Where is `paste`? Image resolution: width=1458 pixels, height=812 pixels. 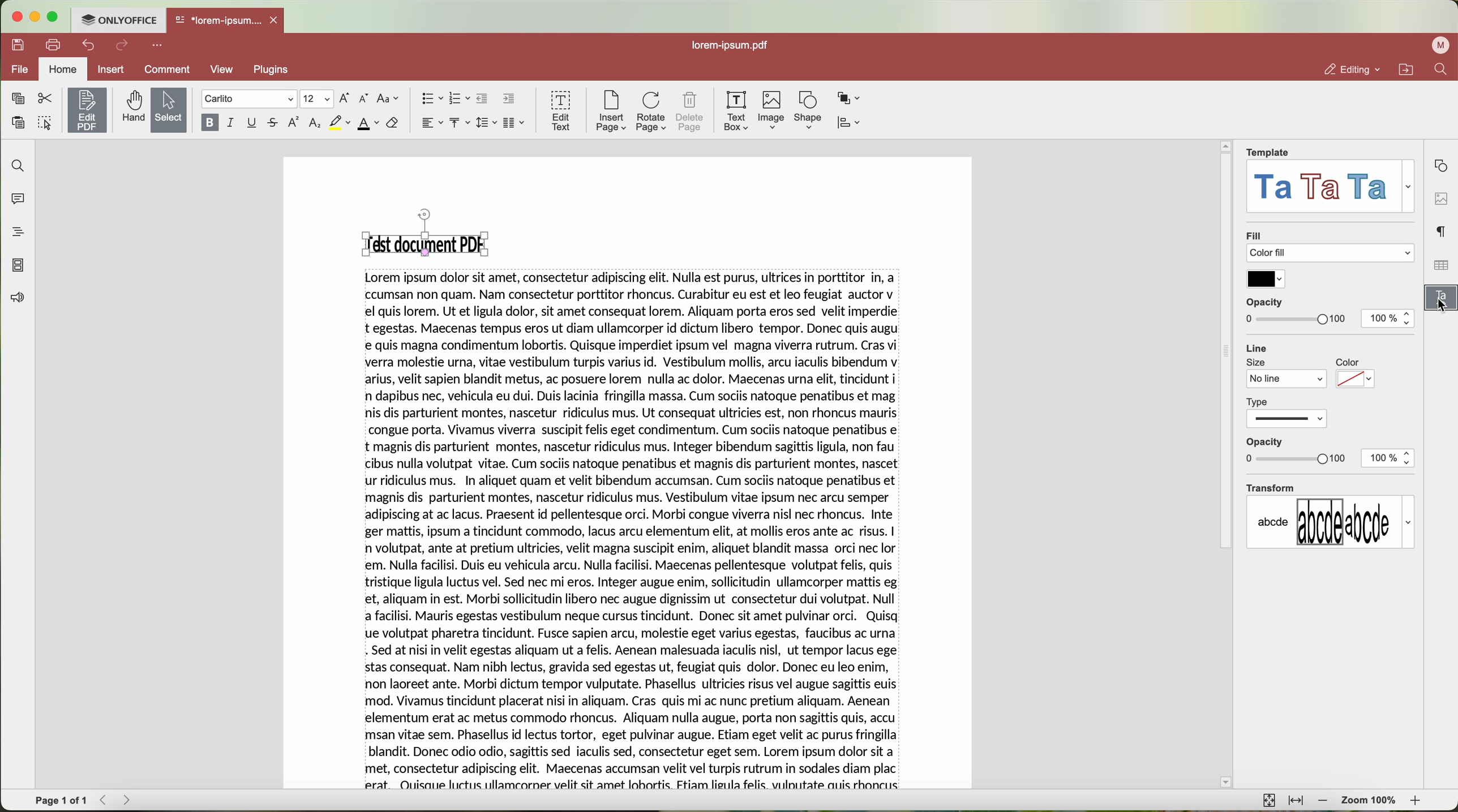 paste is located at coordinates (18, 122).